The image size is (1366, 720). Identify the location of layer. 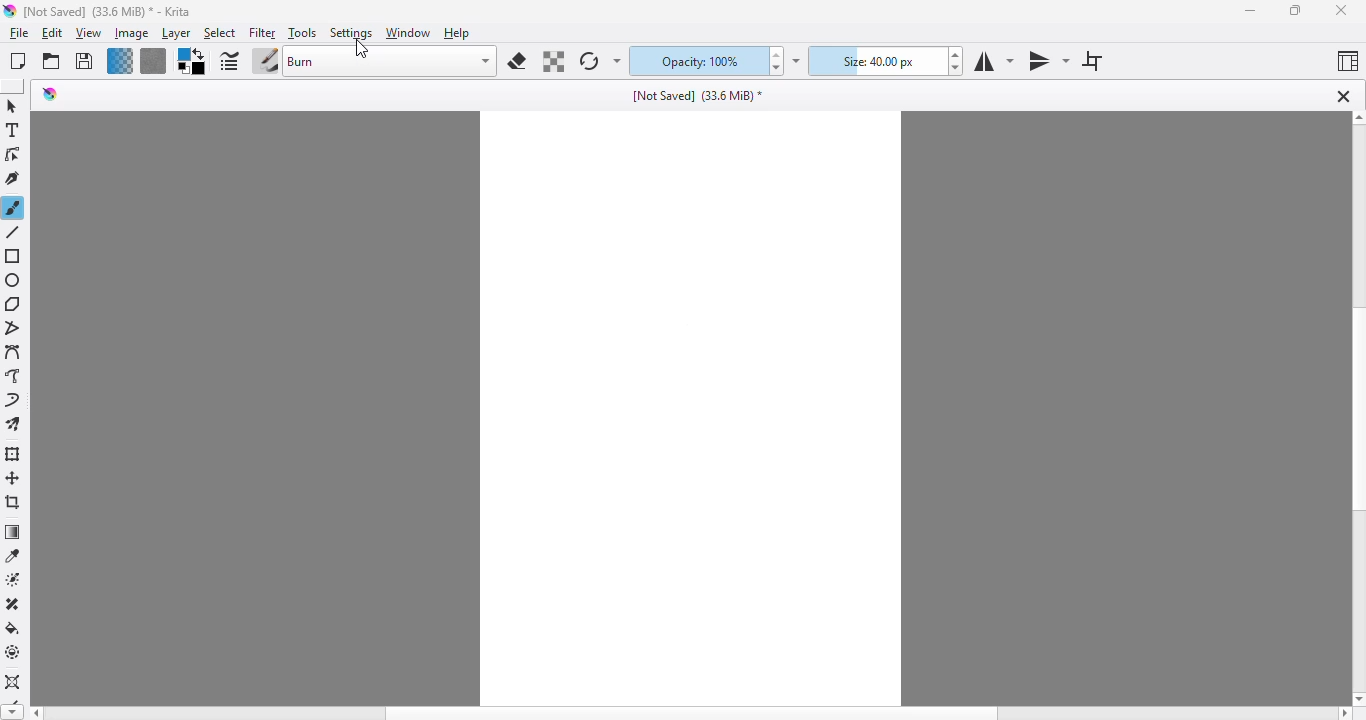
(176, 34).